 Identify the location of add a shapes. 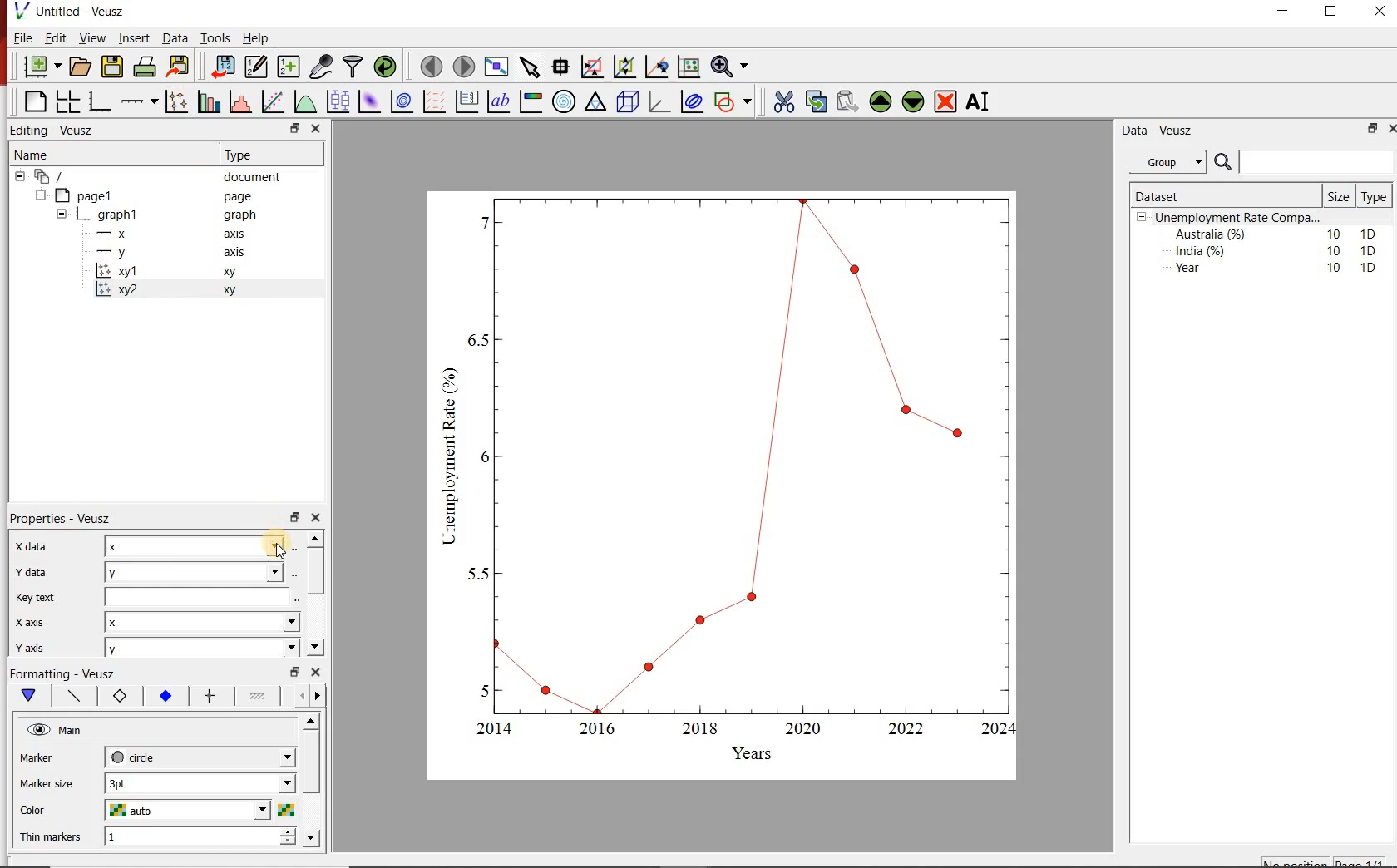
(733, 101).